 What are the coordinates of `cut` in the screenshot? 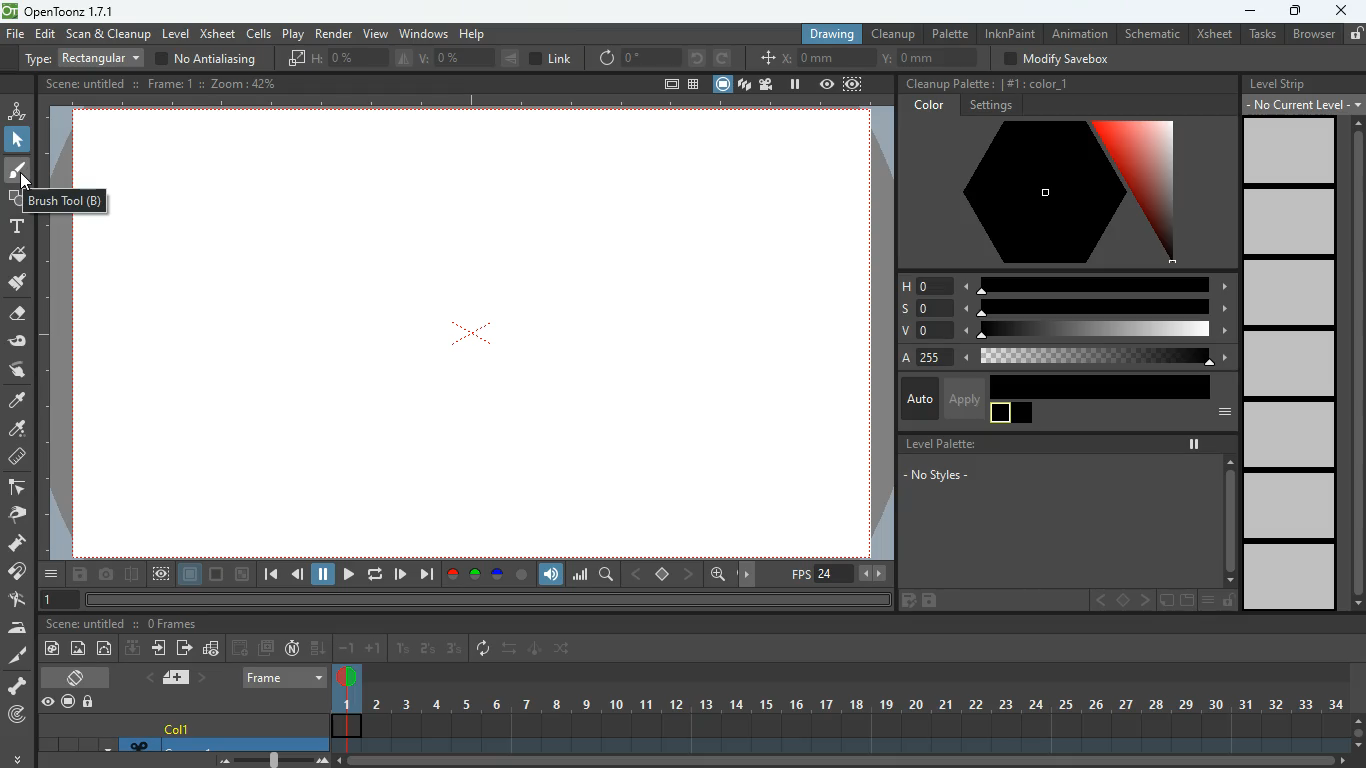 It's located at (16, 657).